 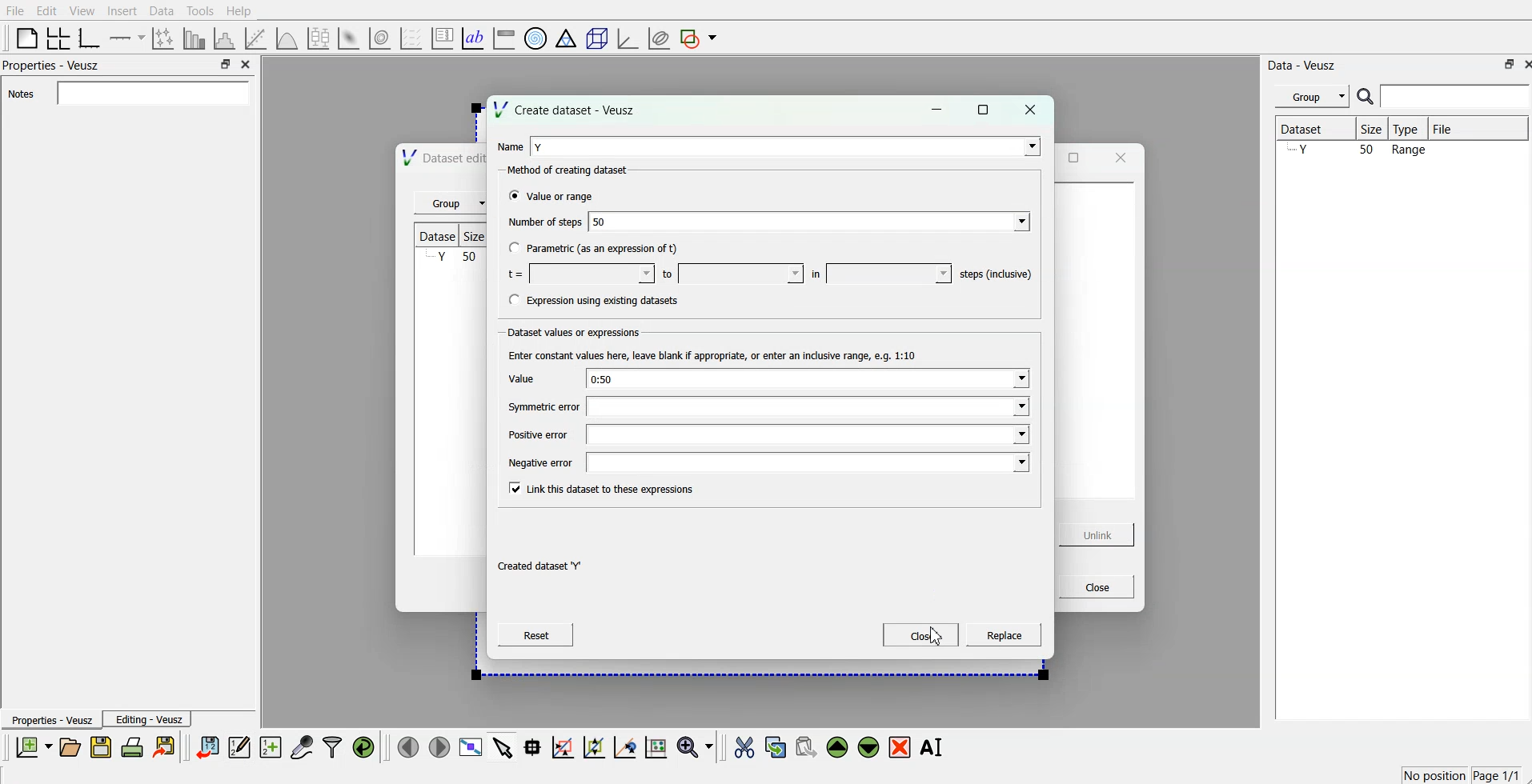 What do you see at coordinates (532, 636) in the screenshot?
I see `Reset` at bounding box center [532, 636].